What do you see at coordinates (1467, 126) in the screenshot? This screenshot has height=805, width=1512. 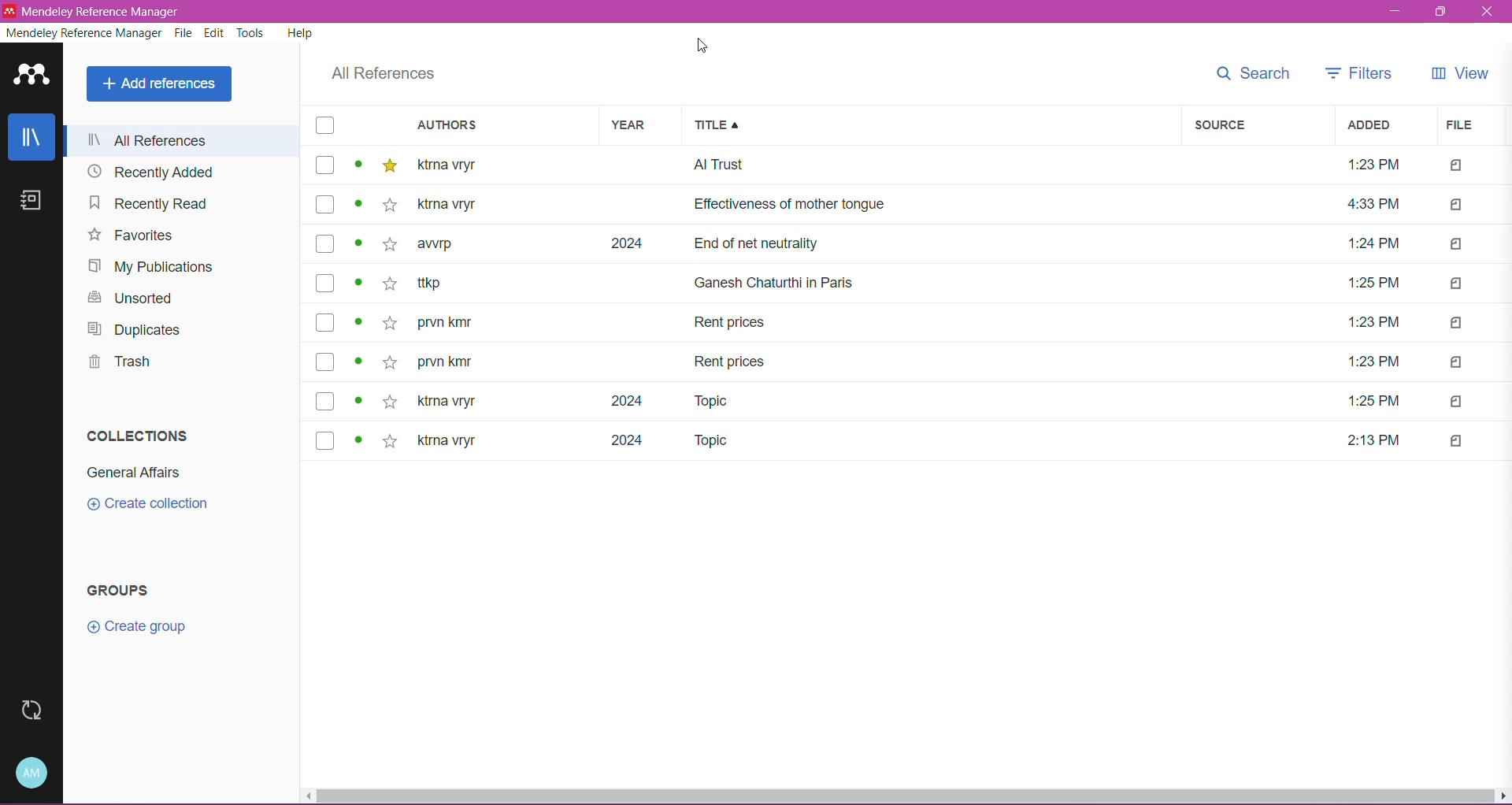 I see `File` at bounding box center [1467, 126].